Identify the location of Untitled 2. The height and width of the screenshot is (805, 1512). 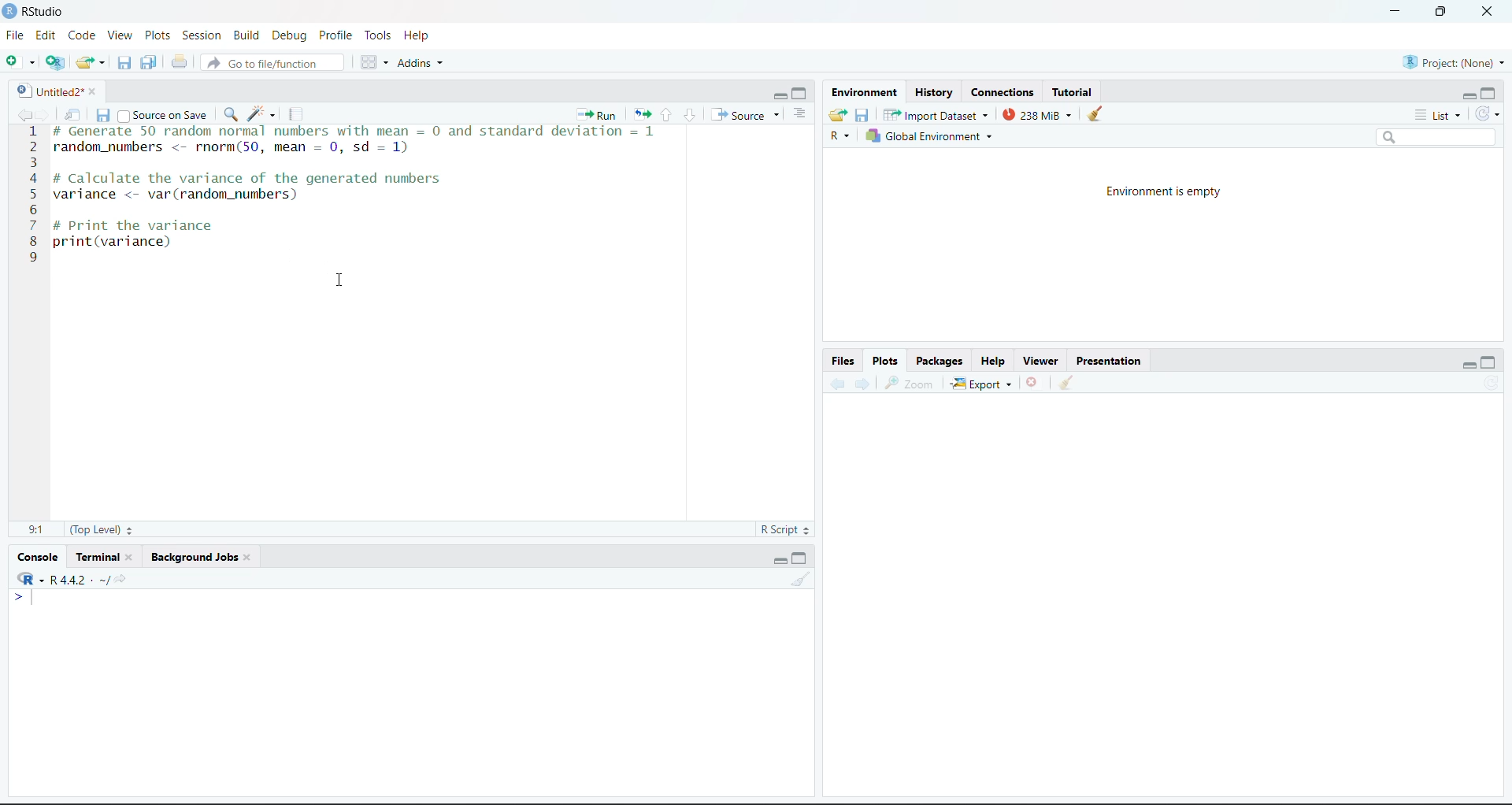
(47, 91).